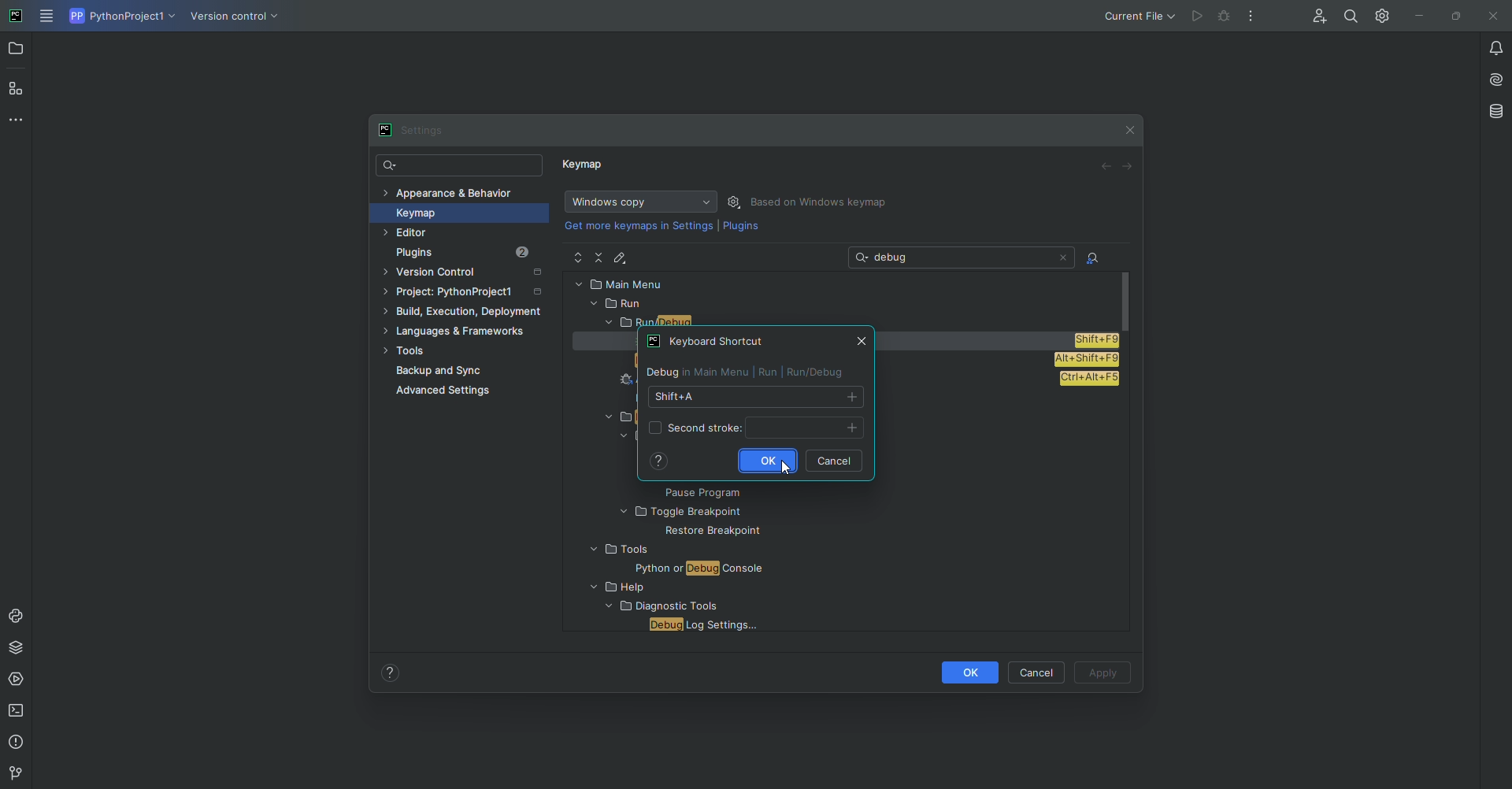  Describe the element at coordinates (753, 427) in the screenshot. I see `Second stroke` at that location.